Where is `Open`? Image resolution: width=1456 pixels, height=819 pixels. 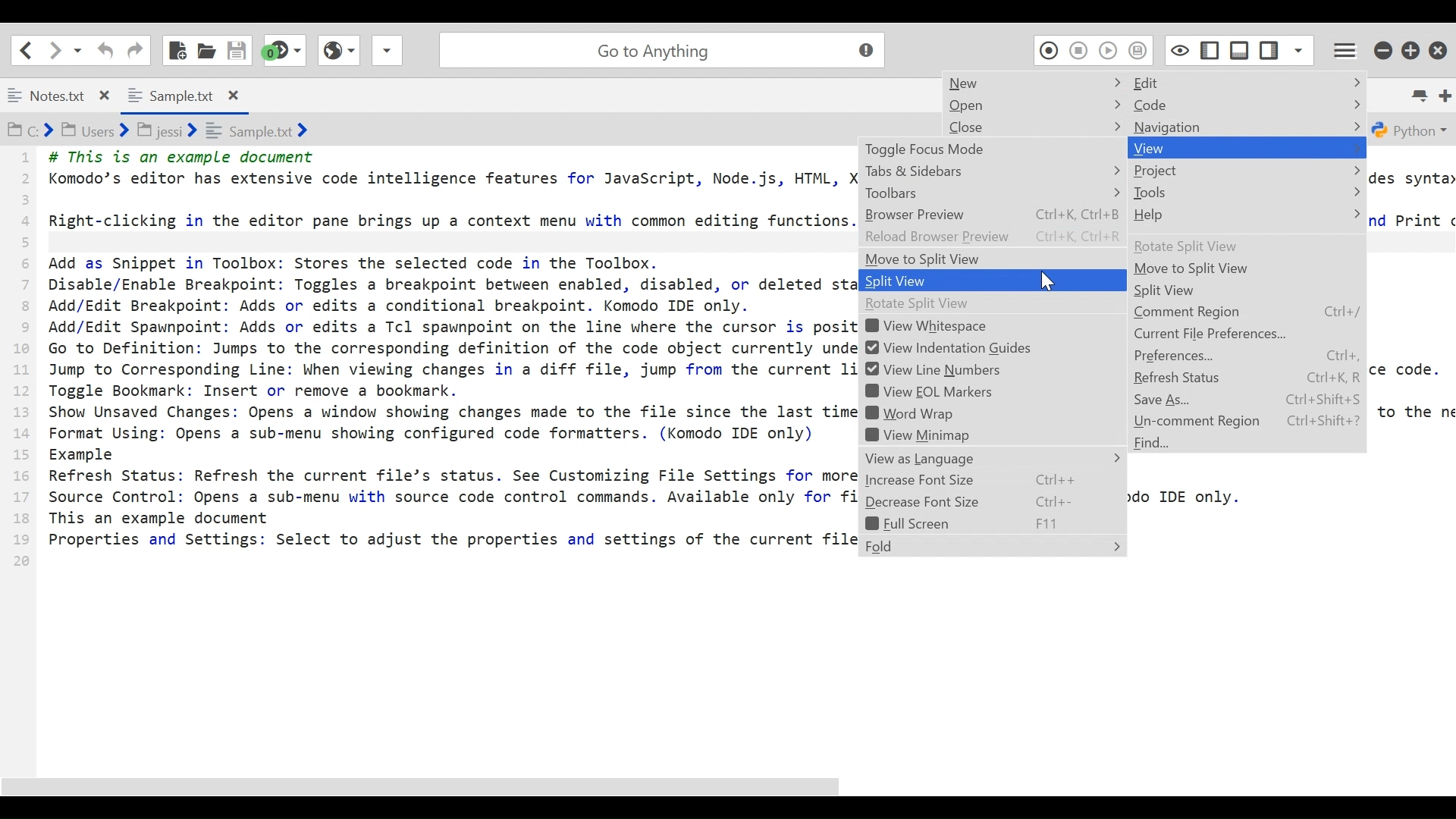 Open is located at coordinates (1036, 106).